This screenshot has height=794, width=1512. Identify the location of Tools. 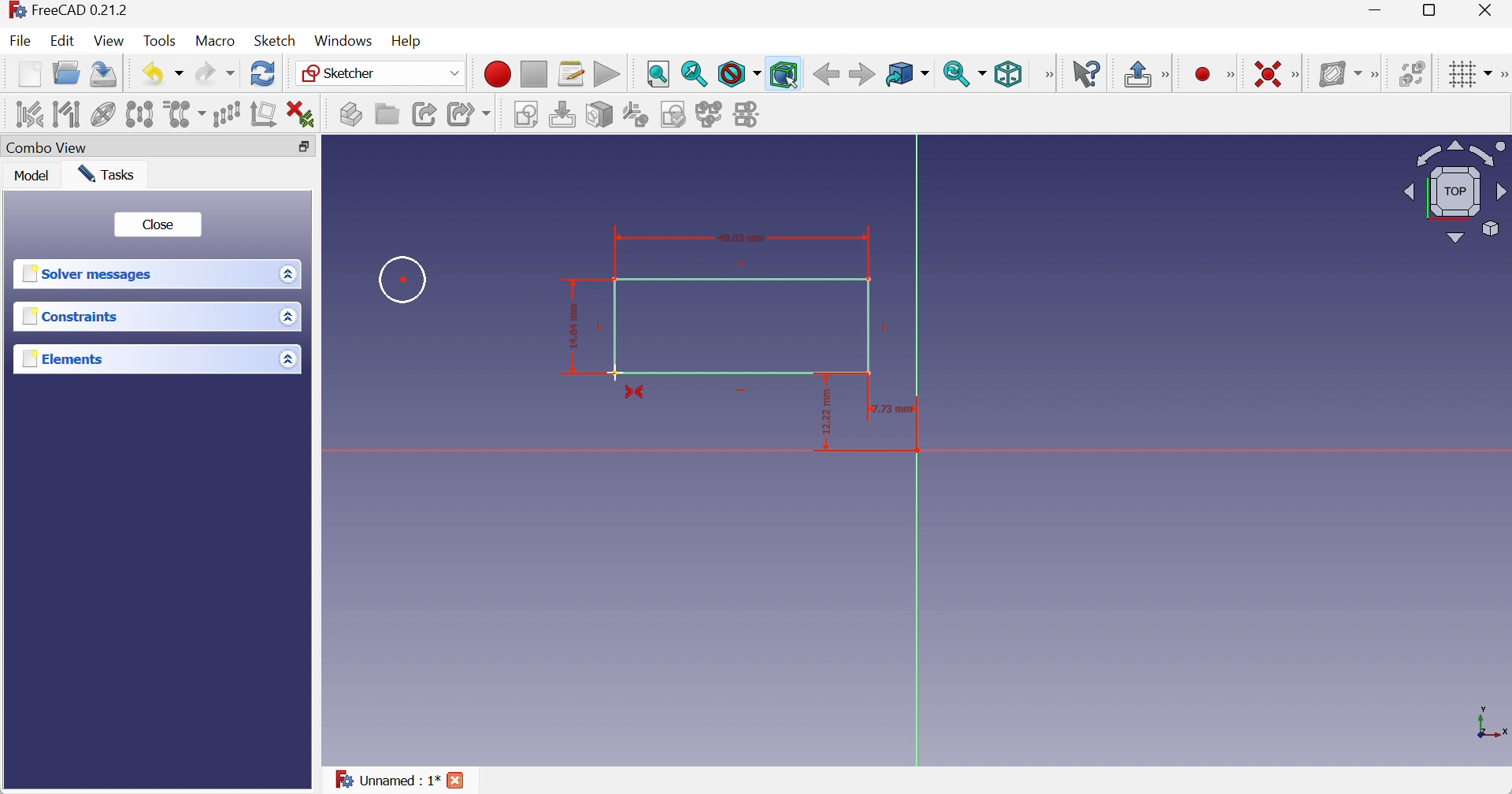
(161, 41).